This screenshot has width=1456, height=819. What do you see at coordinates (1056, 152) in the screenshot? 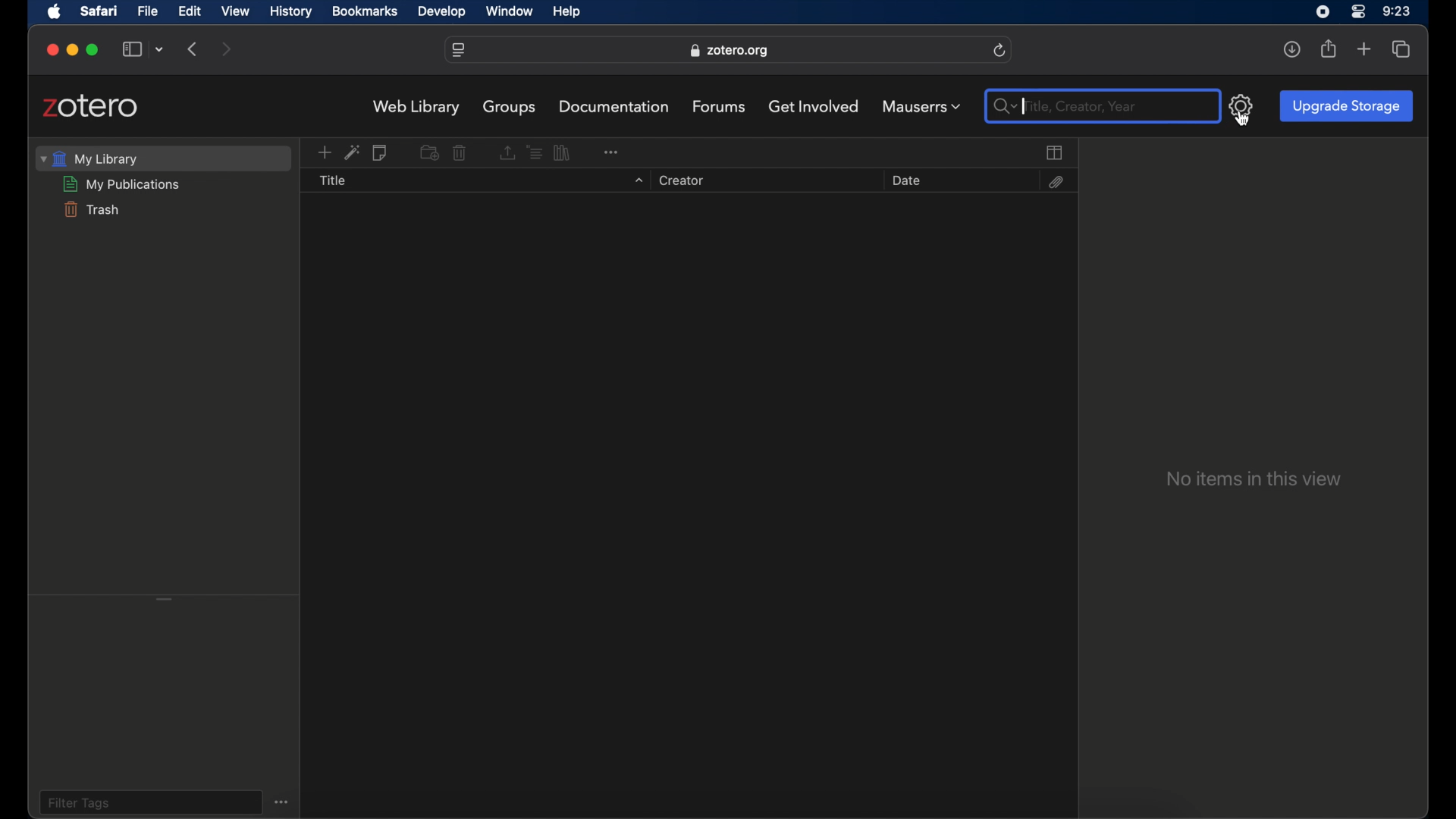
I see `column selector` at bounding box center [1056, 152].